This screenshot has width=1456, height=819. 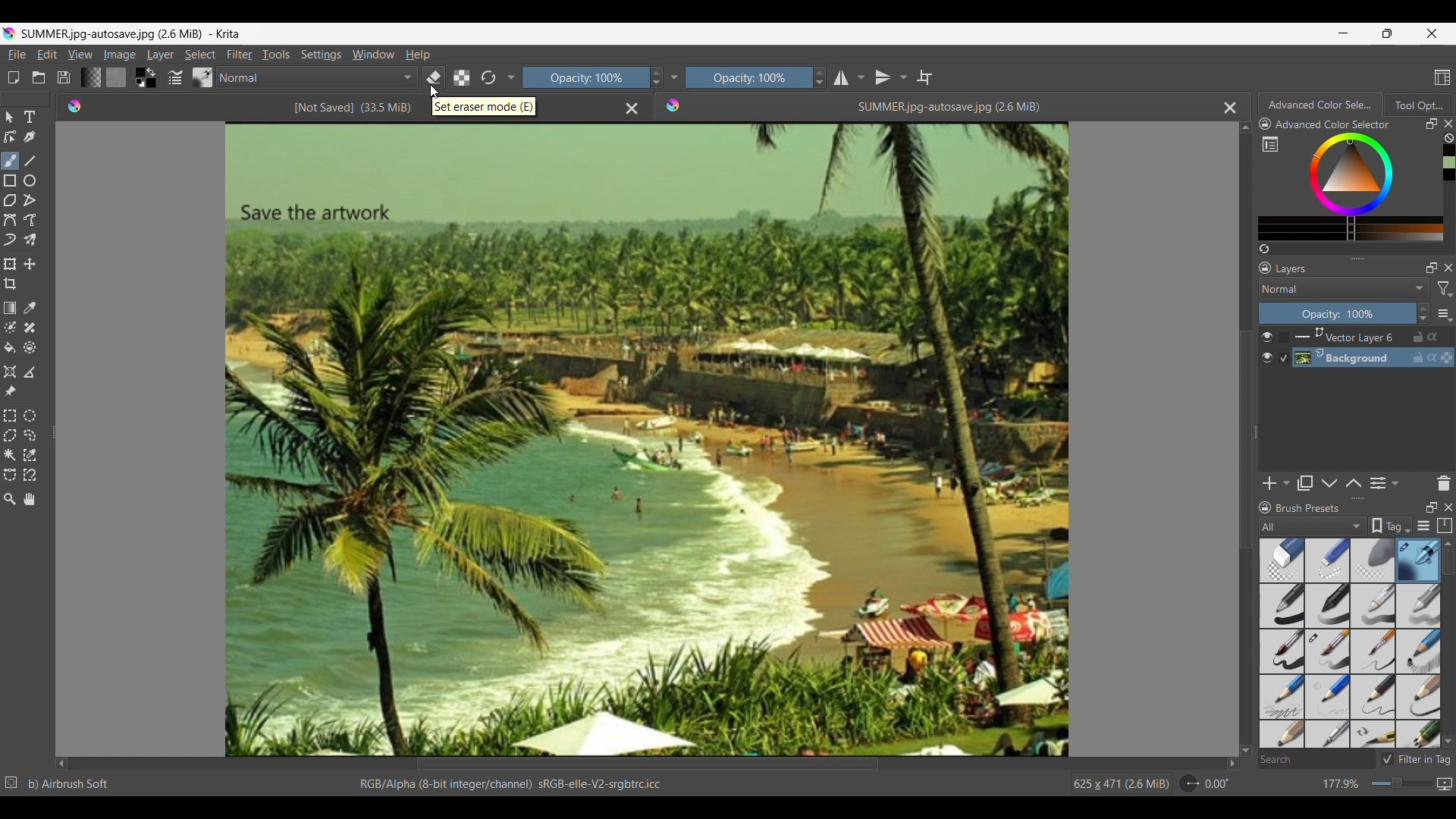 I want to click on Color history, so click(x=1448, y=162).